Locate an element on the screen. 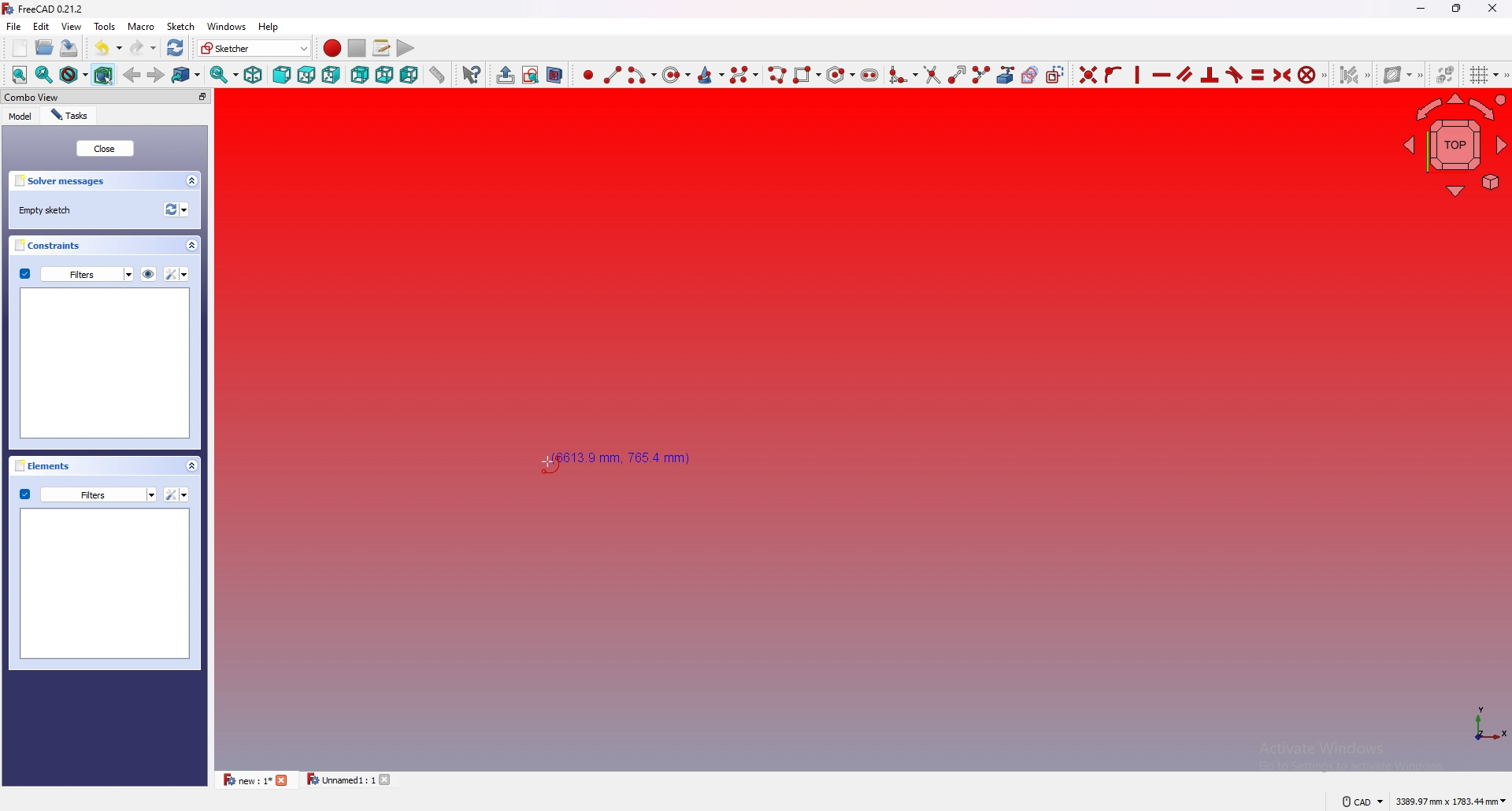  new is located at coordinates (18, 48).